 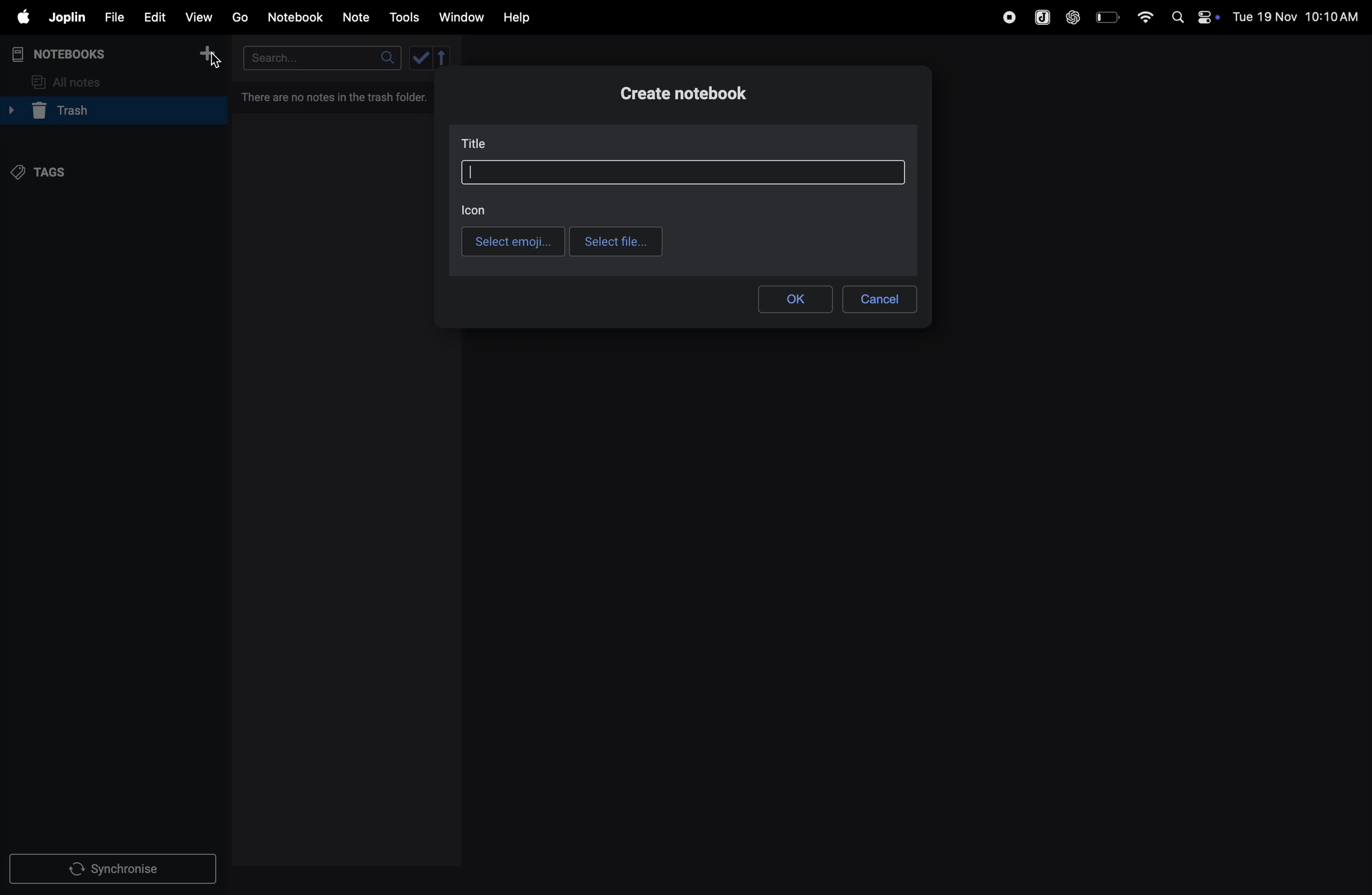 I want to click on joplin, so click(x=1039, y=16).